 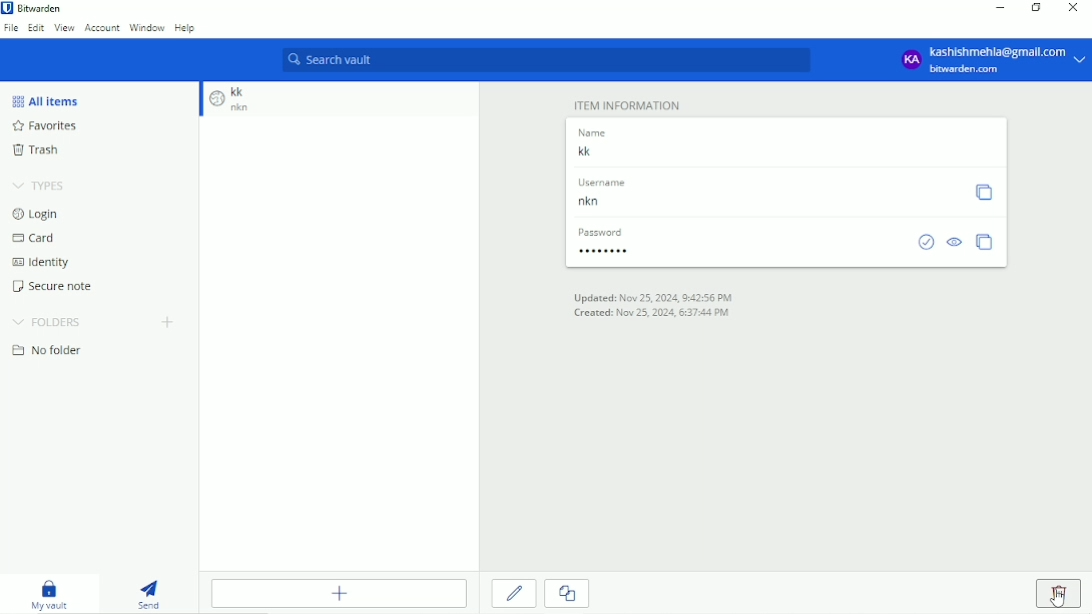 I want to click on nkn, so click(x=251, y=109).